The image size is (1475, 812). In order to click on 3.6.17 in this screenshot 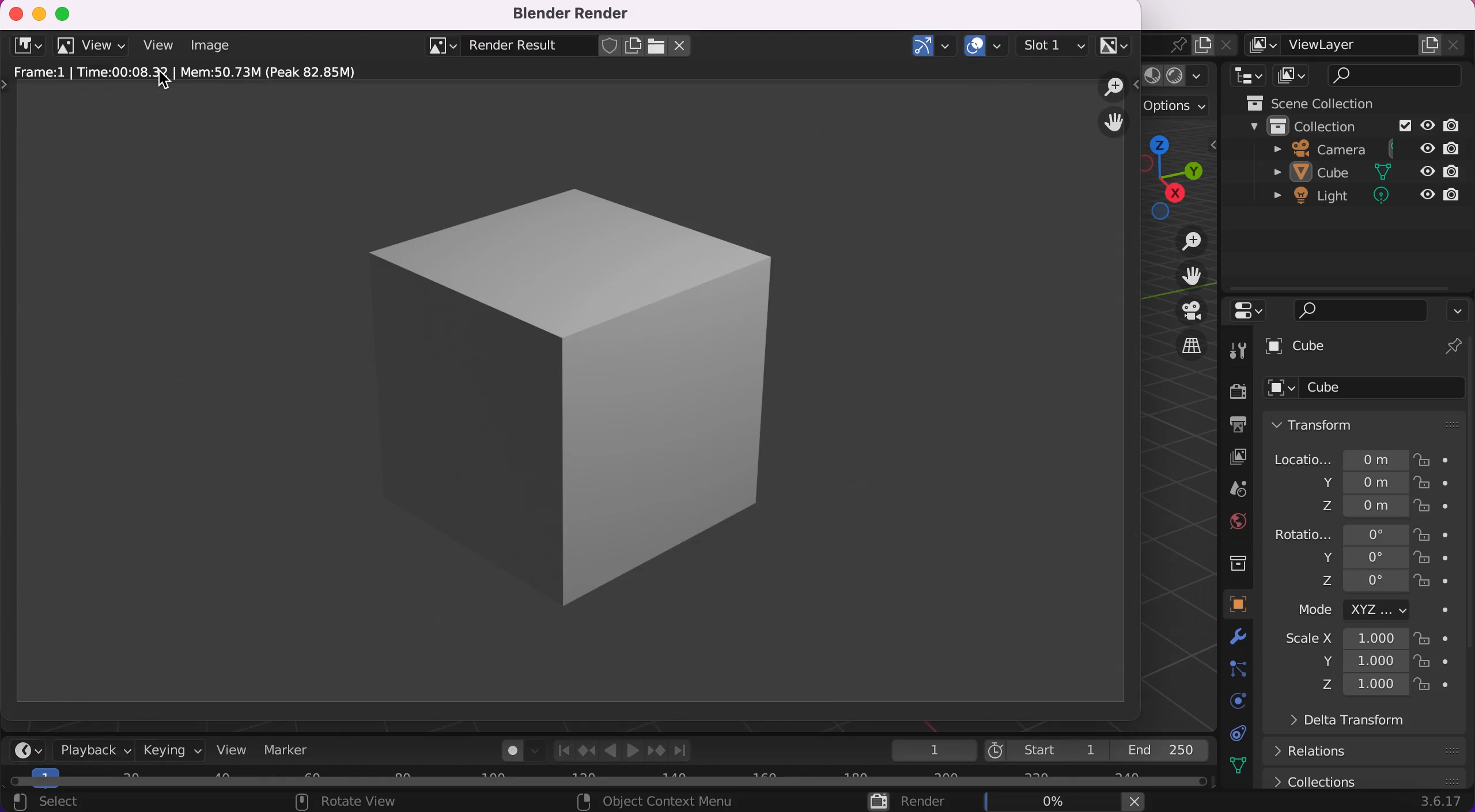, I will do `click(1440, 803)`.